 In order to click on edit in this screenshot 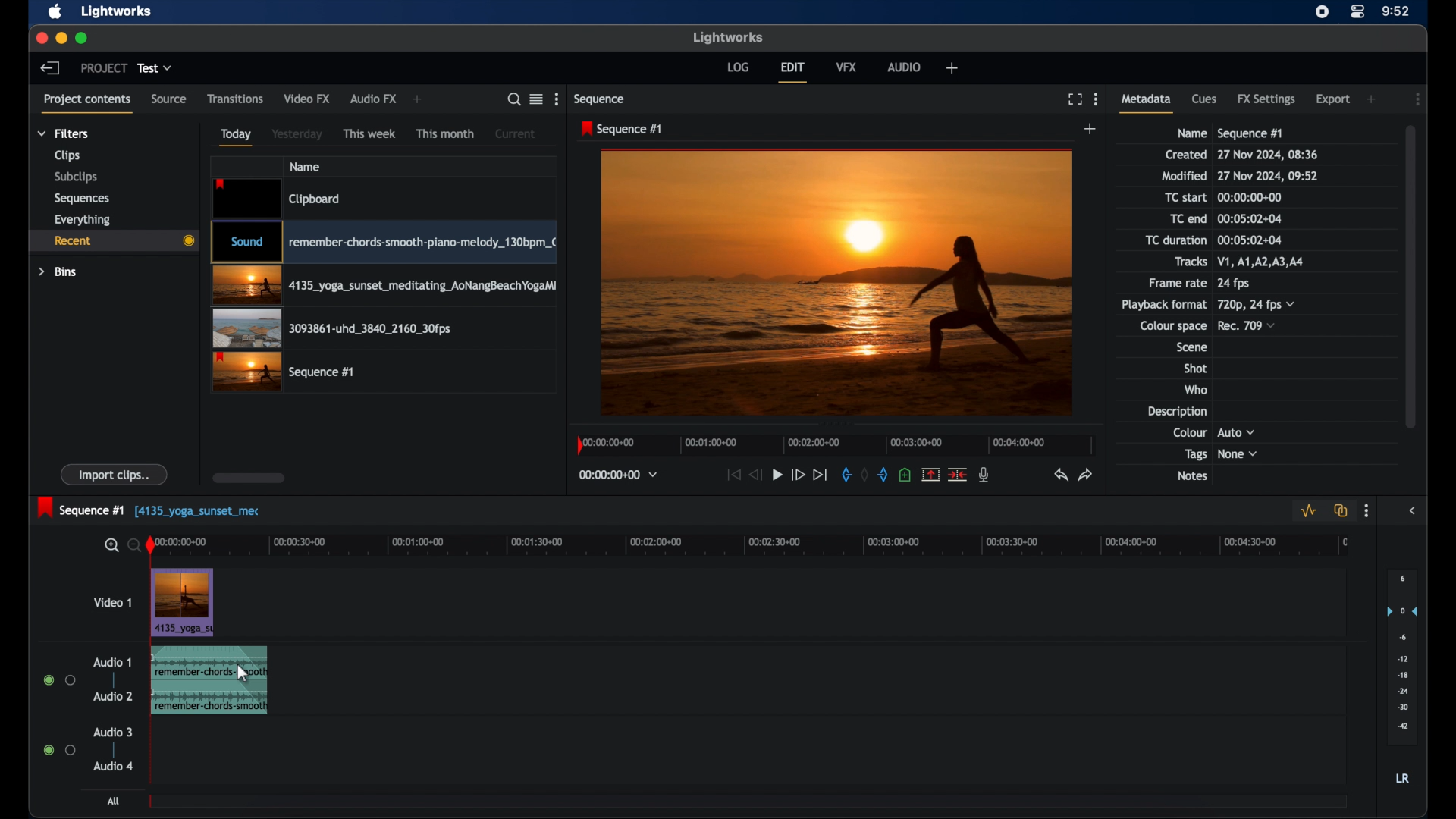, I will do `click(795, 71)`.